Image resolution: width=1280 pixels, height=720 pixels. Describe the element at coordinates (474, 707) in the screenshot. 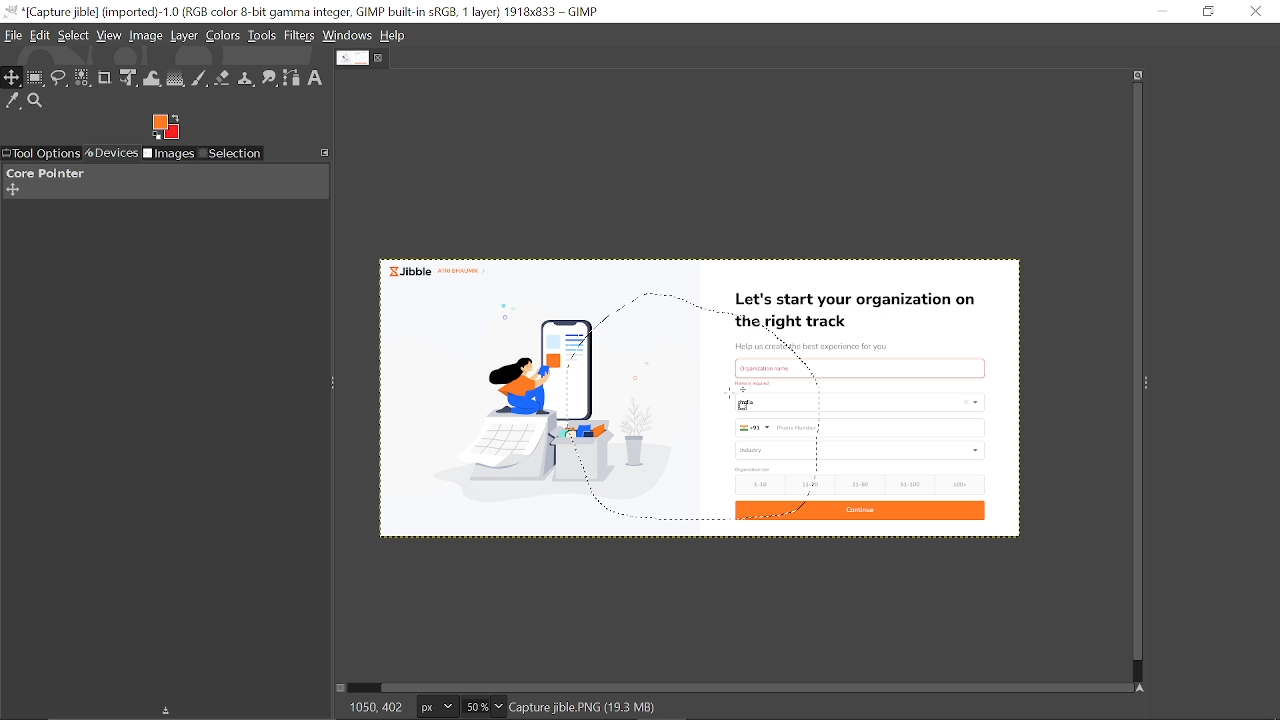

I see `Current Zoom` at that location.